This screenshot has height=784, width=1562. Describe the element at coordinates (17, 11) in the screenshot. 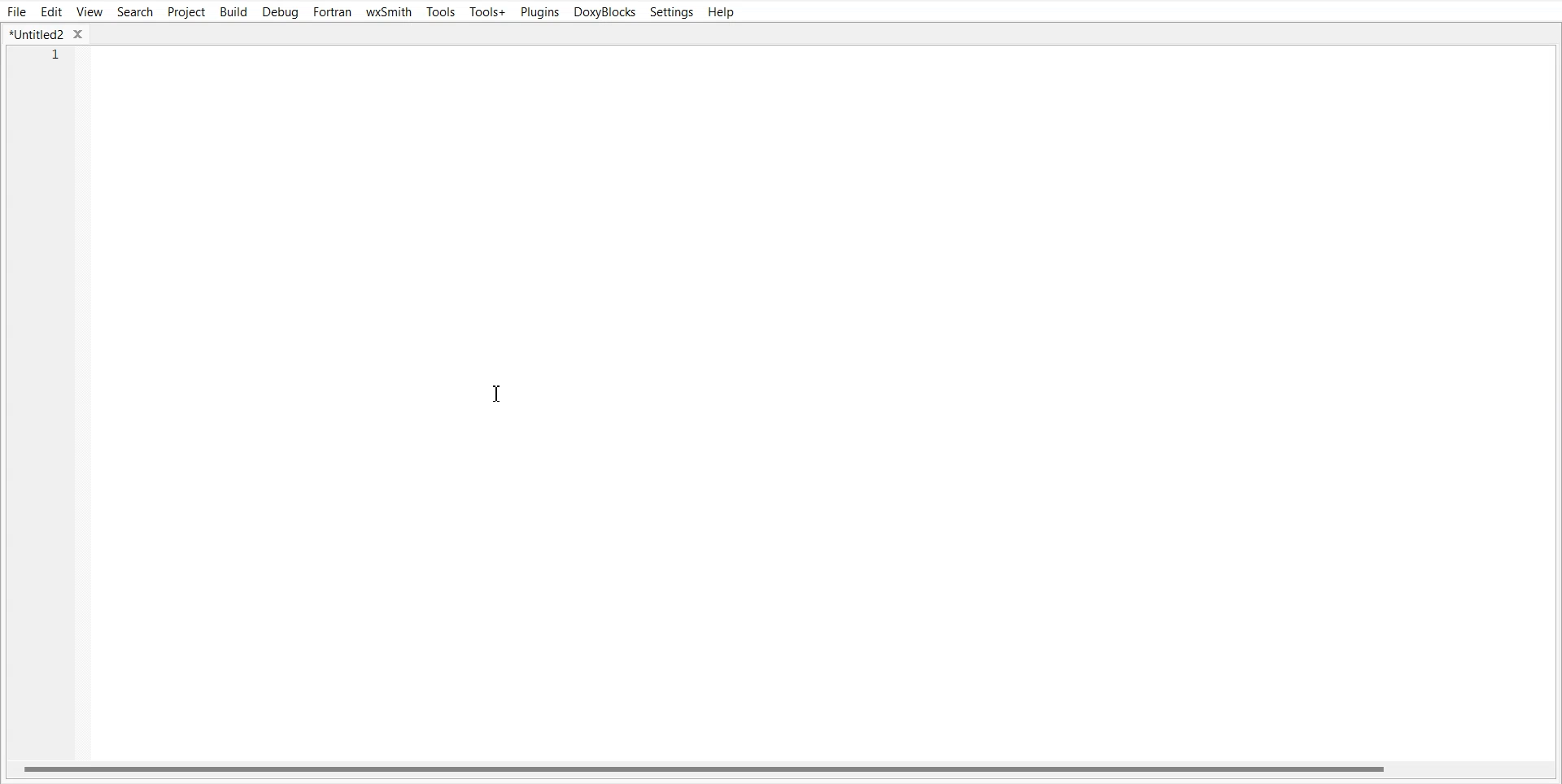

I see `File` at that location.